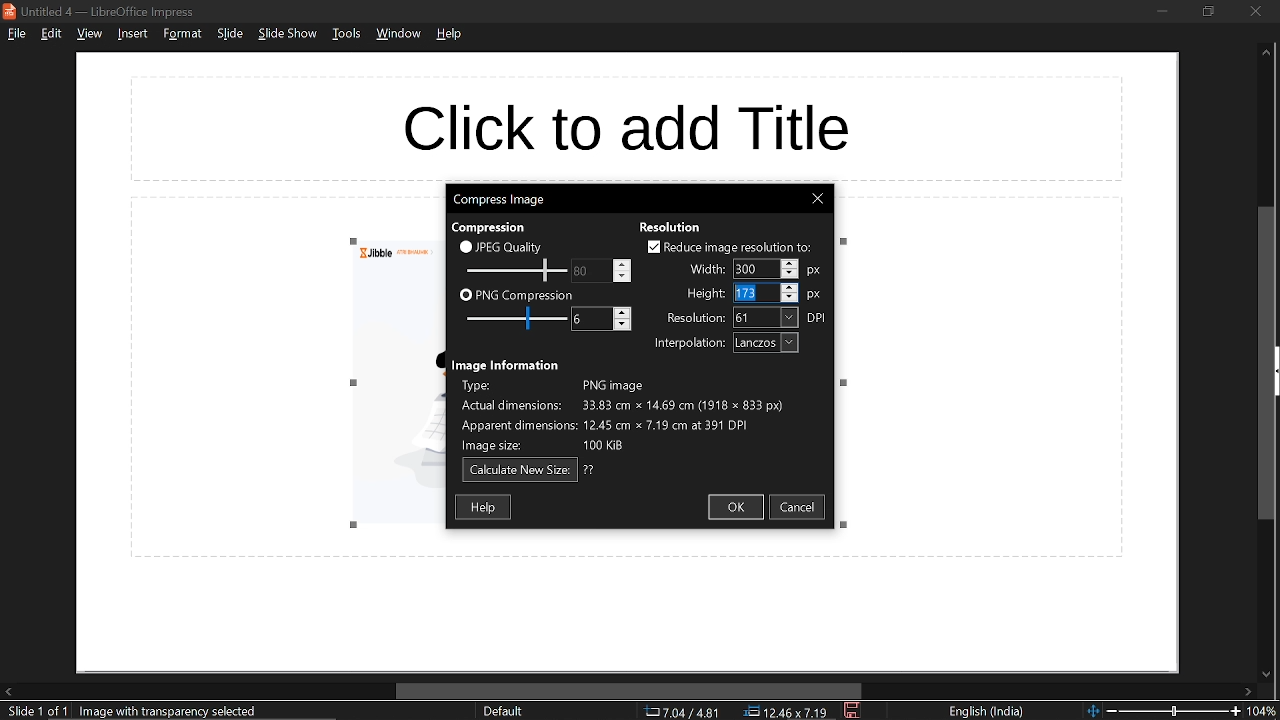 The image size is (1280, 720). What do you see at coordinates (288, 36) in the screenshot?
I see `slide show` at bounding box center [288, 36].